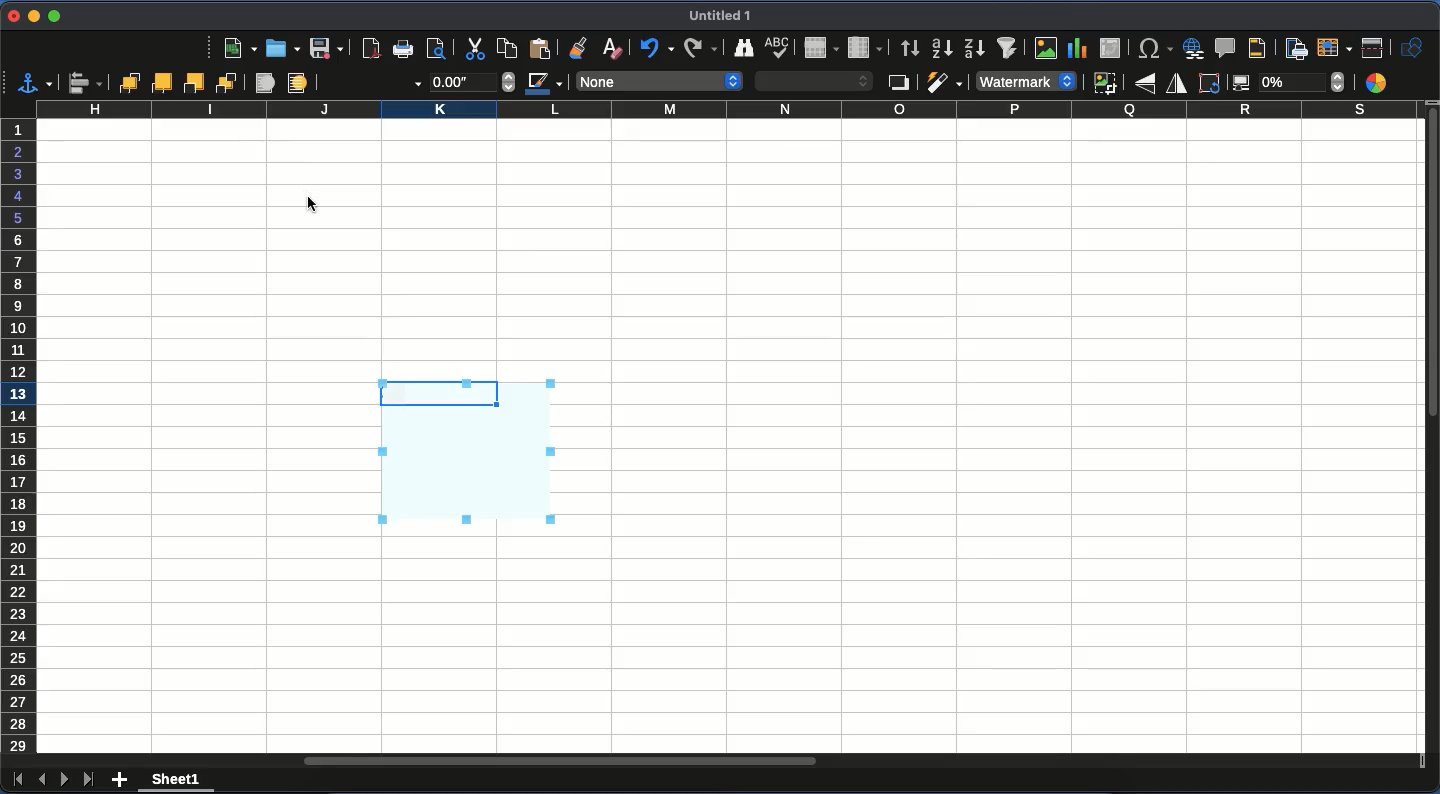  I want to click on open, so click(283, 50).